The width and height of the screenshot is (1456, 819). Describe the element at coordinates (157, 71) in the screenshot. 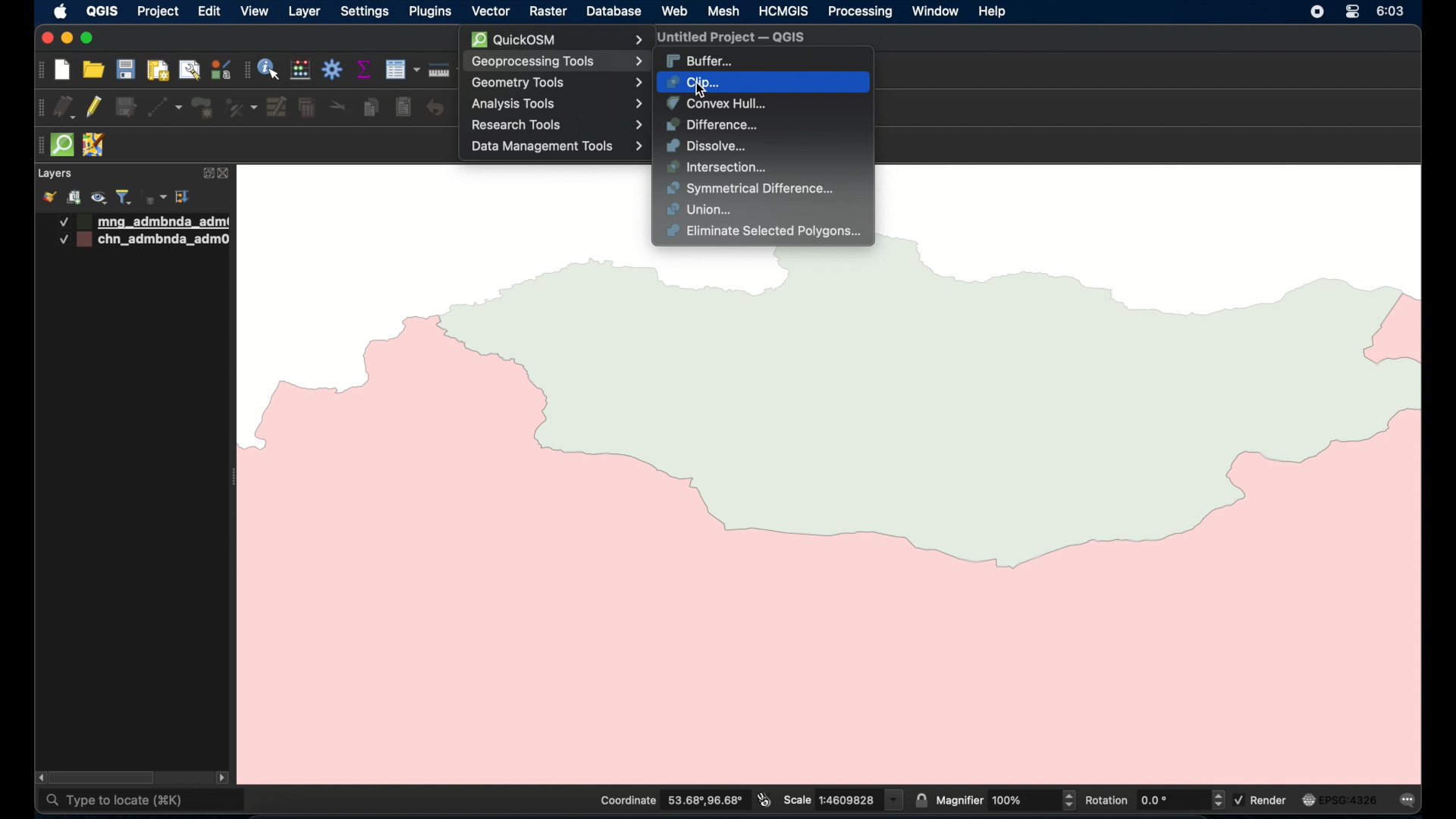

I see `print layout` at that location.